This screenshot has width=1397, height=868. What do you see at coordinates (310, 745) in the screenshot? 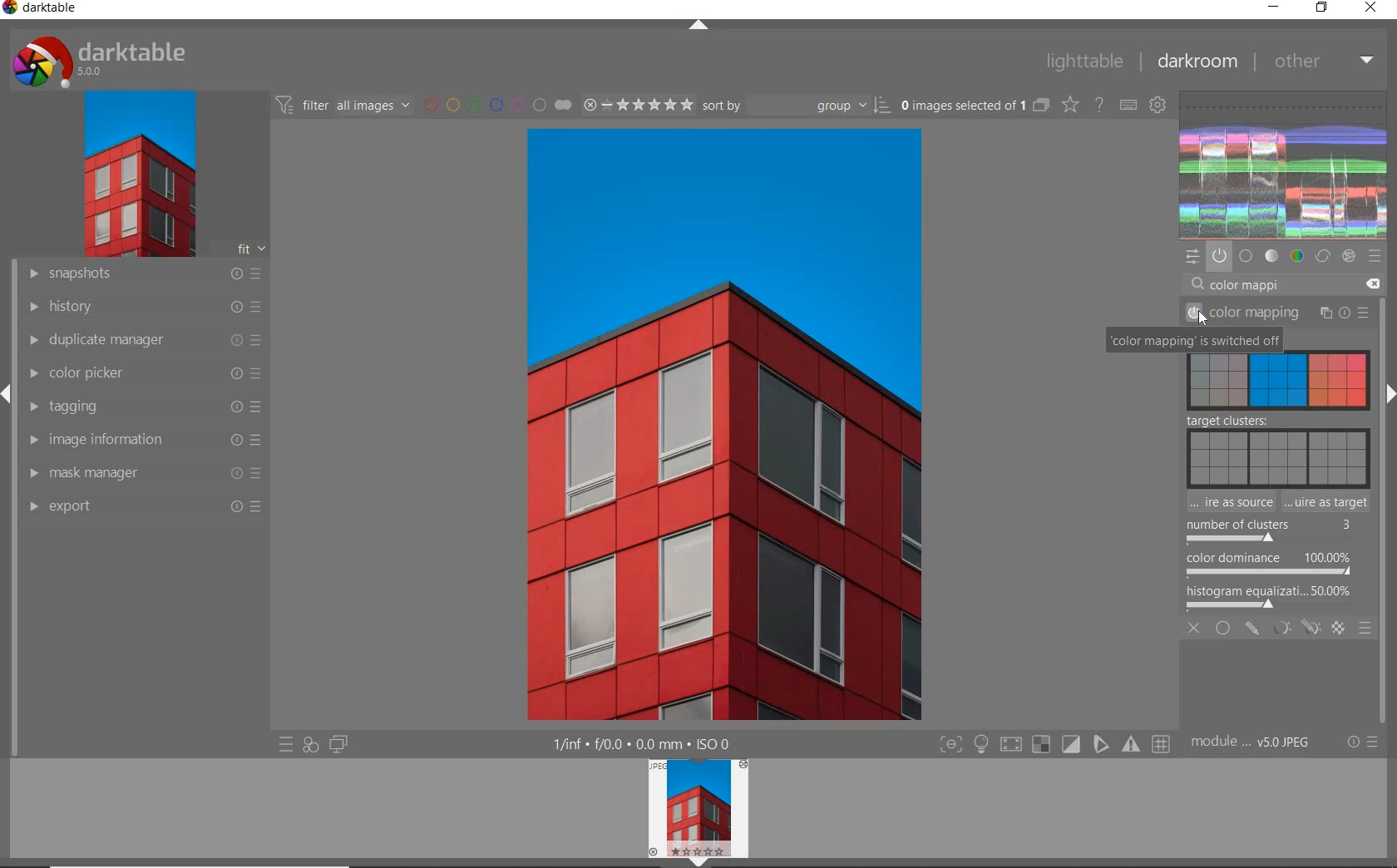
I see `quick access for applying any of your style` at bounding box center [310, 745].